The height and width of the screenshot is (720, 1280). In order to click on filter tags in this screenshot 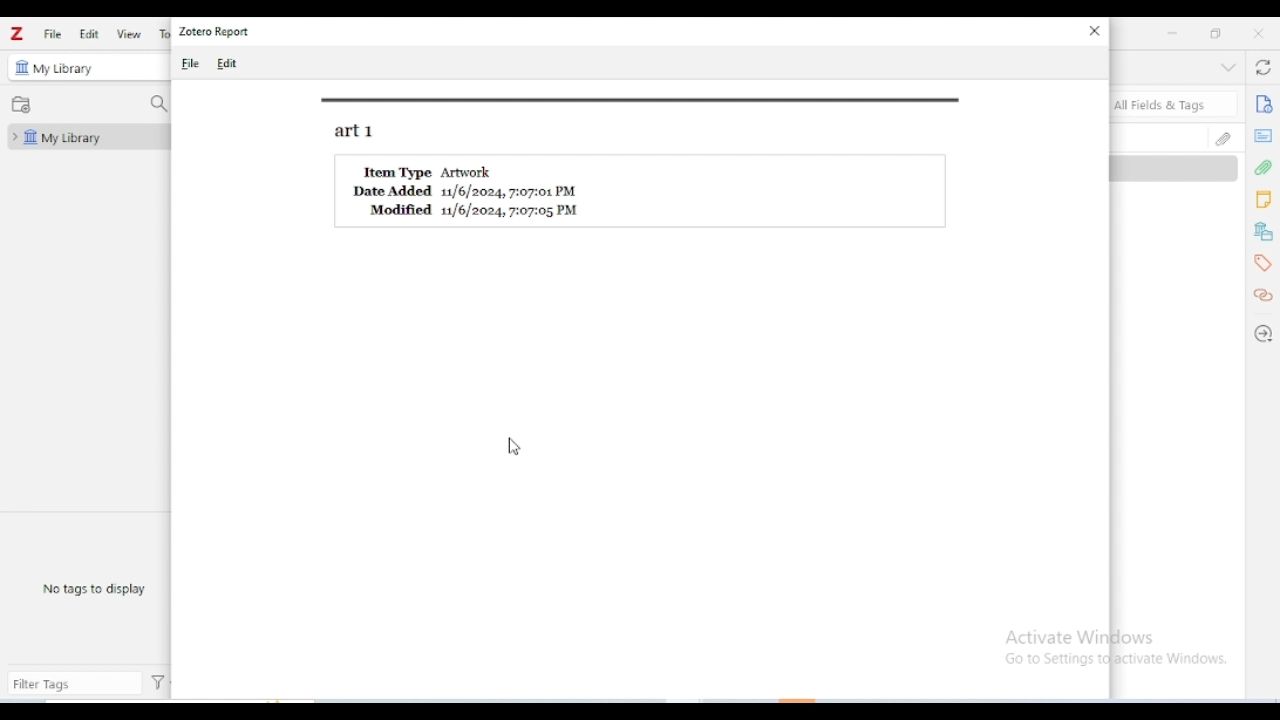, I will do `click(74, 685)`.